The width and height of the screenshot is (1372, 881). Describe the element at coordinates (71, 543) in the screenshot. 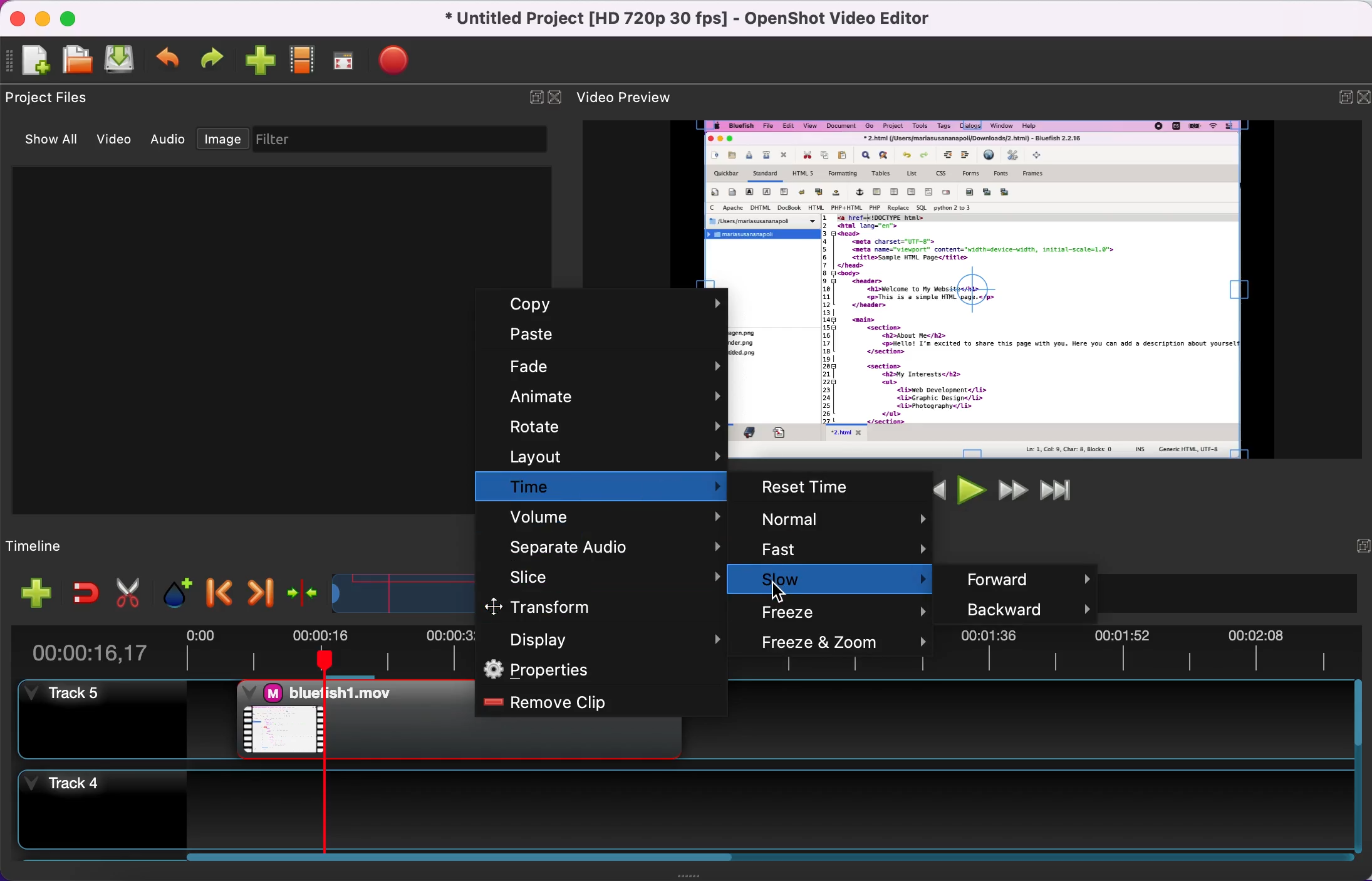

I see `timeline` at that location.